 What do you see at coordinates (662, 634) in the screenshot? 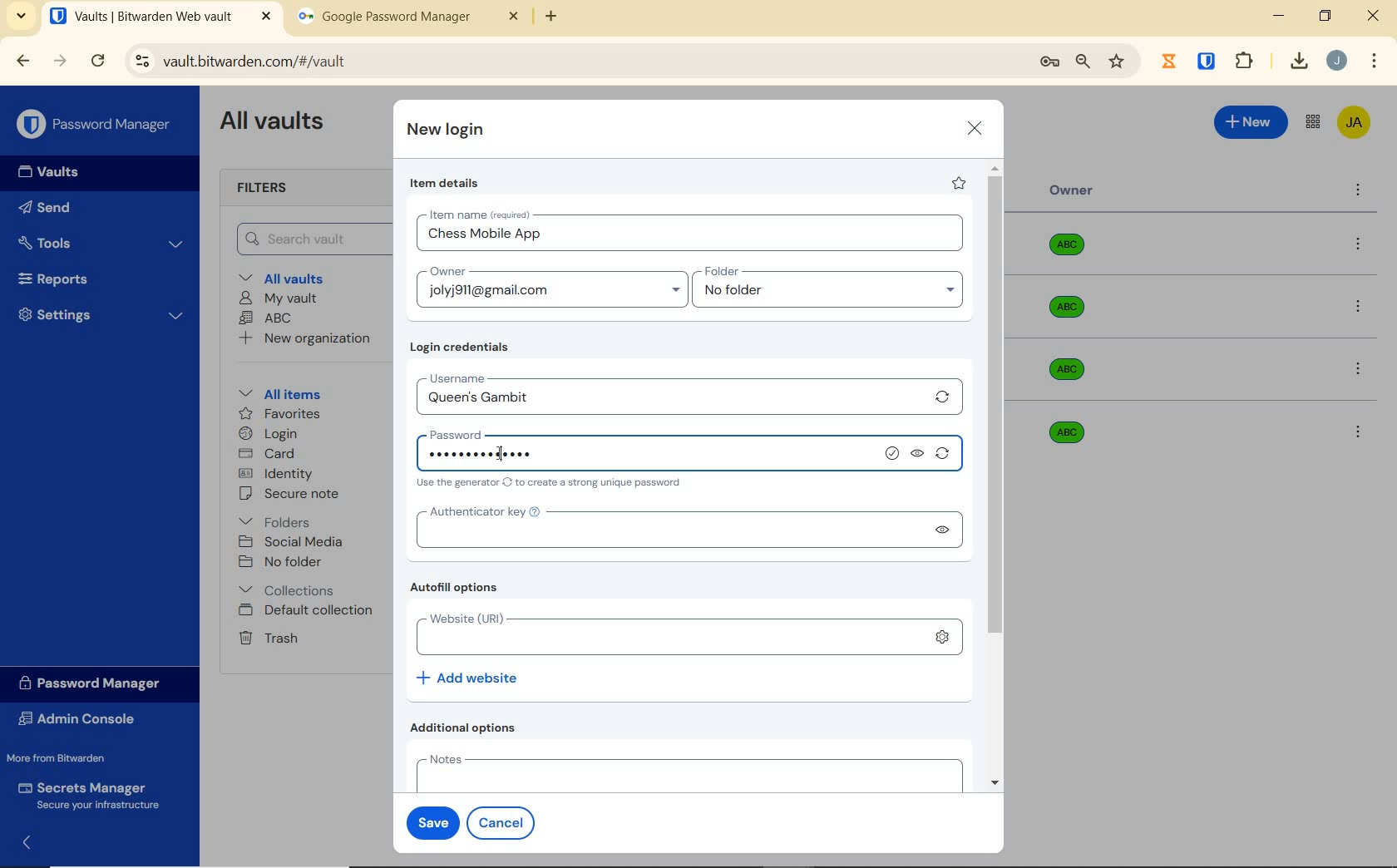
I see `Website (URL)` at bounding box center [662, 634].